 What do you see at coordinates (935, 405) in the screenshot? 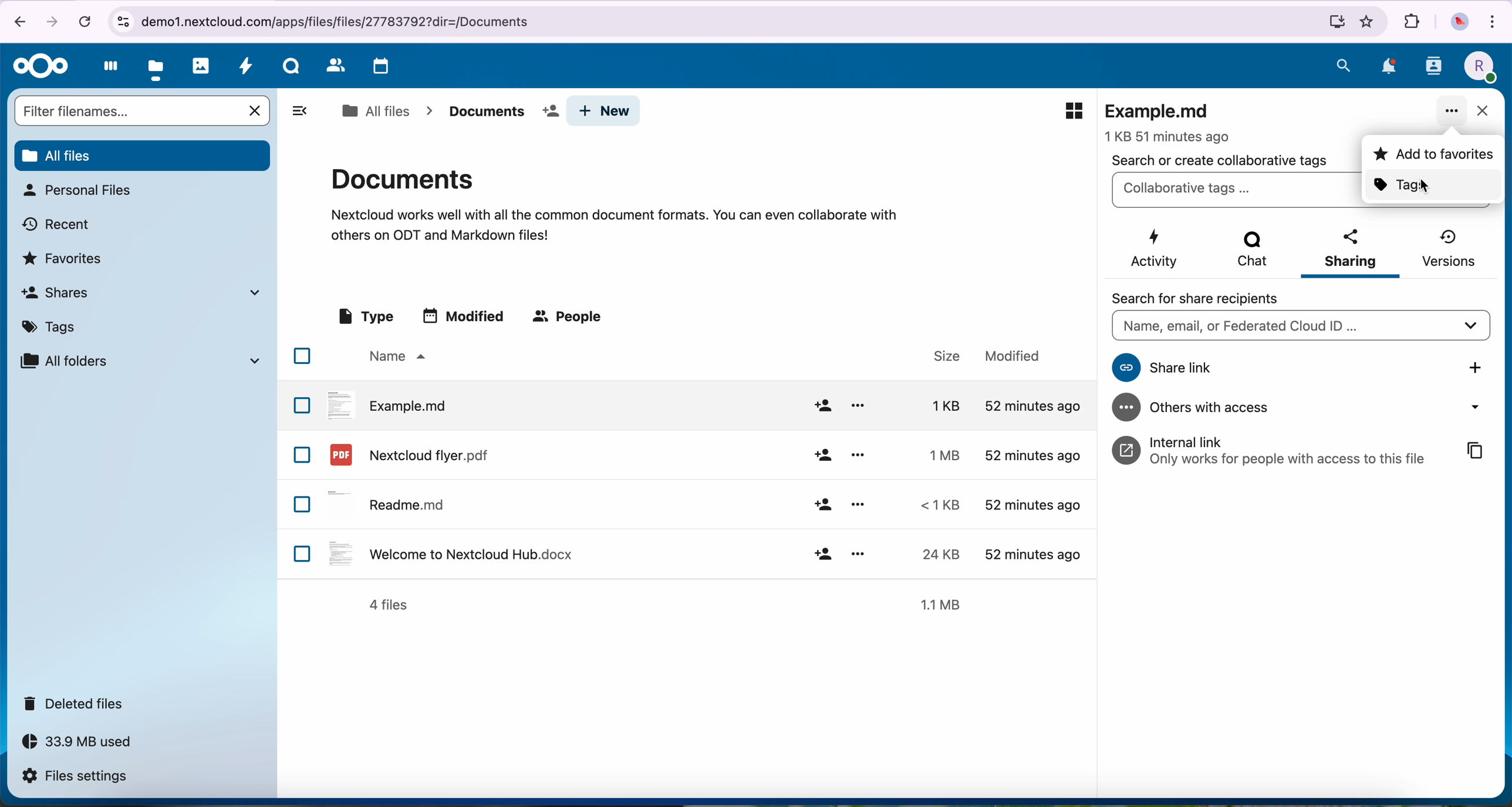
I see `size` at bounding box center [935, 405].